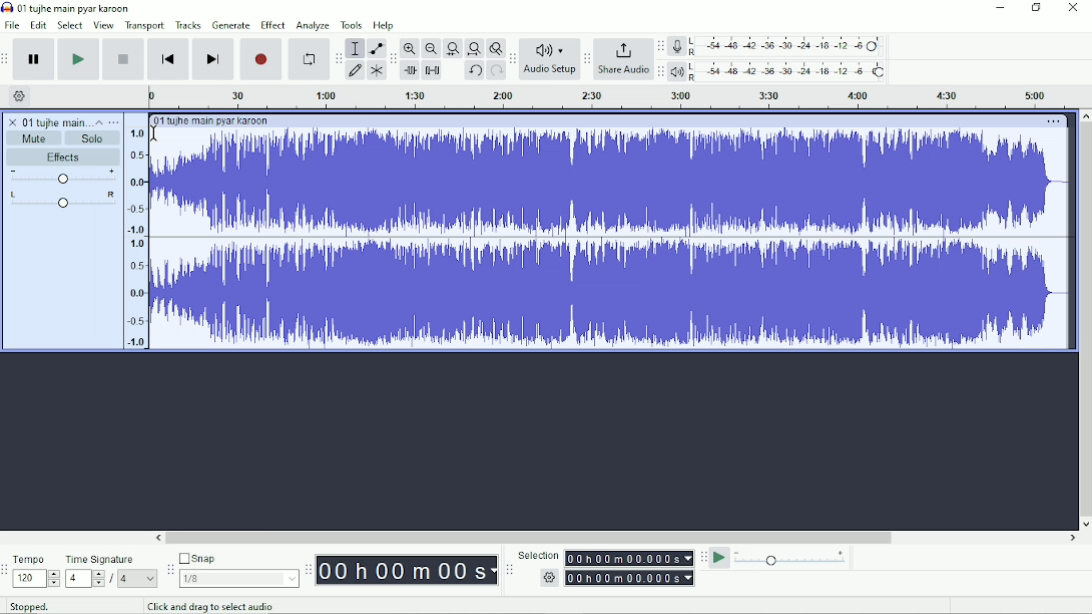 The image size is (1092, 614). I want to click on Fit project to width, so click(473, 49).